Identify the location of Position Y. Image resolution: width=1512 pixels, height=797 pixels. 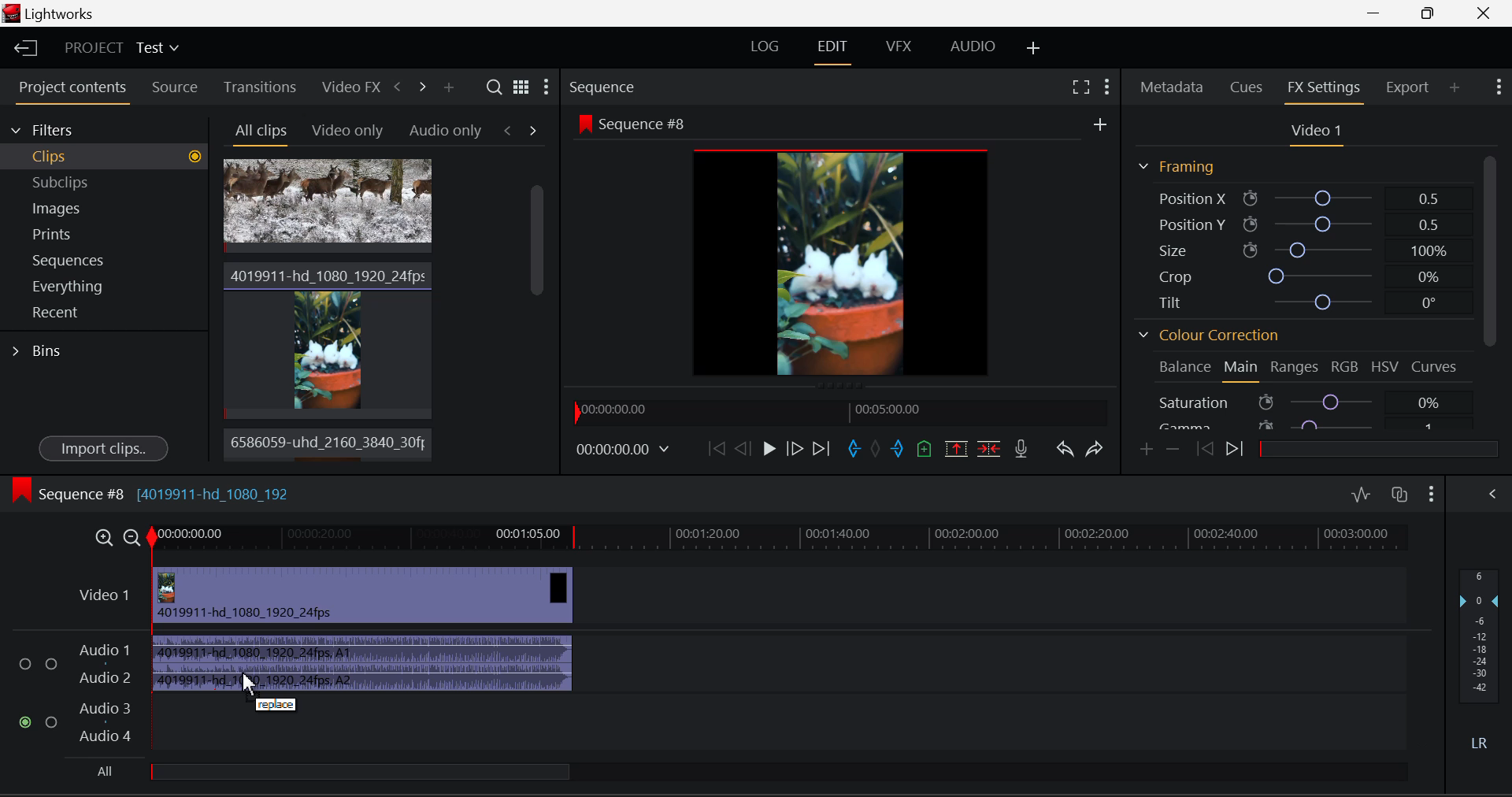
(1310, 225).